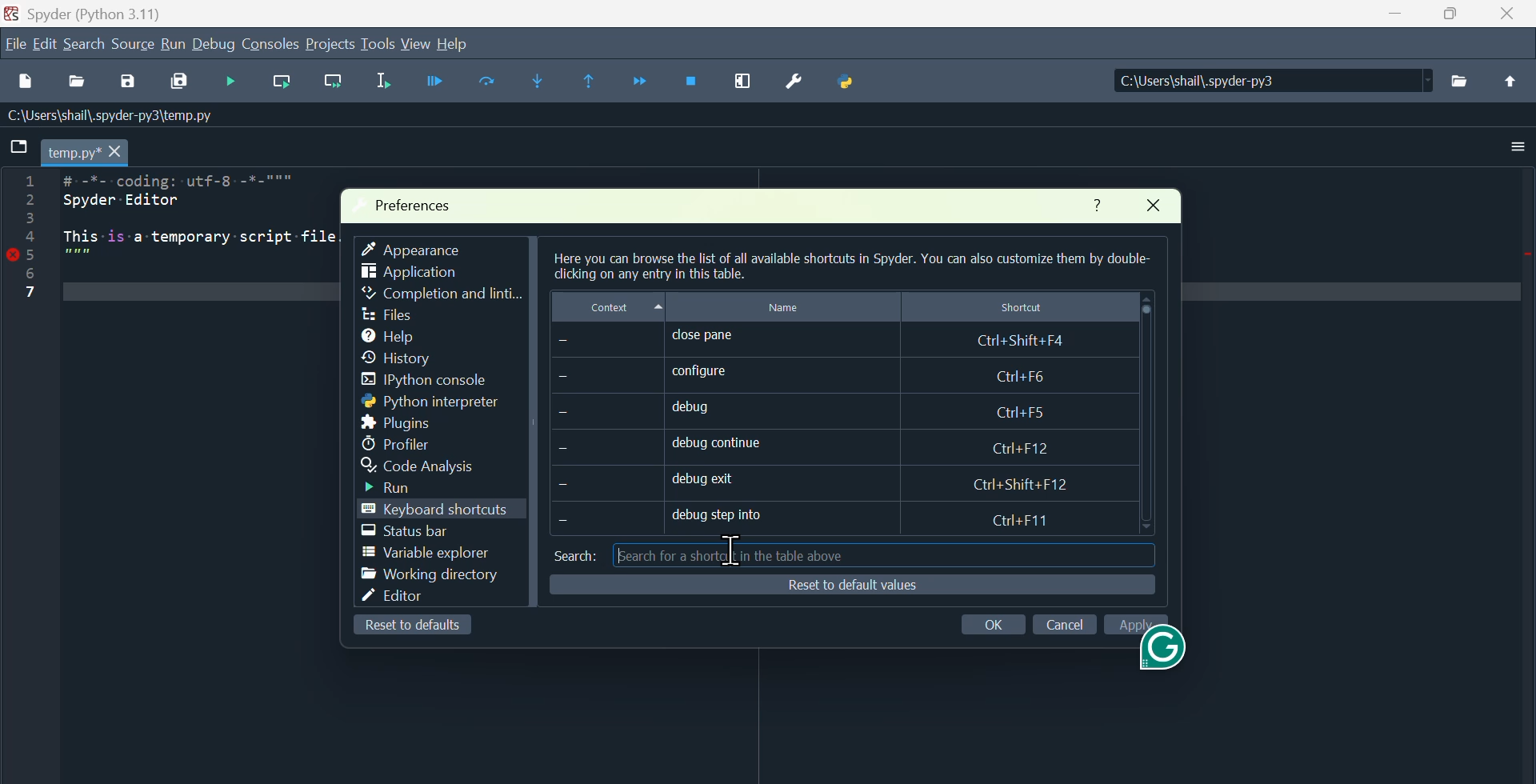  I want to click on OK, so click(996, 622).